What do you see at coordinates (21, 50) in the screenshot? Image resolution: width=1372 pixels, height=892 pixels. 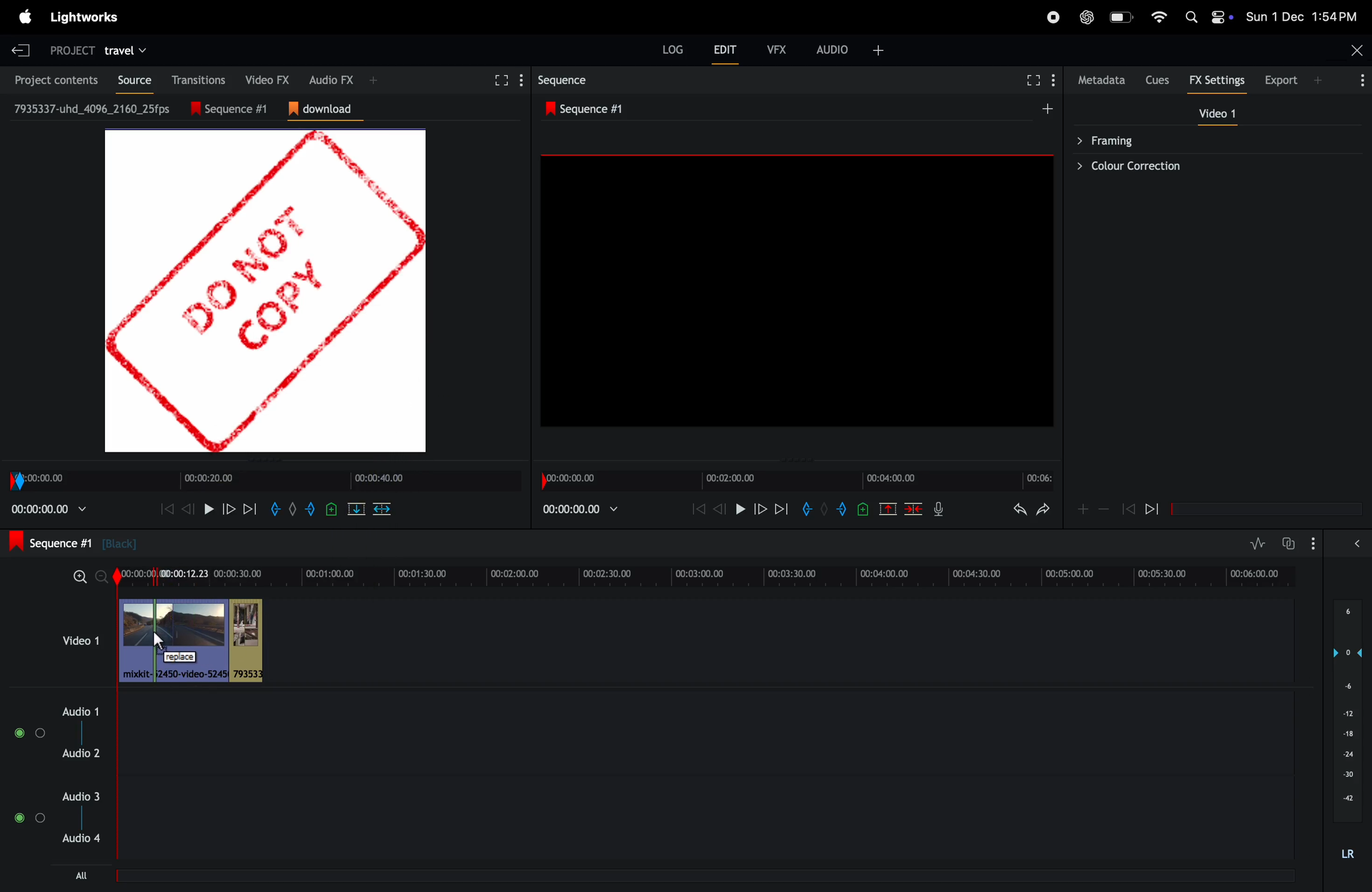 I see `exit` at bounding box center [21, 50].